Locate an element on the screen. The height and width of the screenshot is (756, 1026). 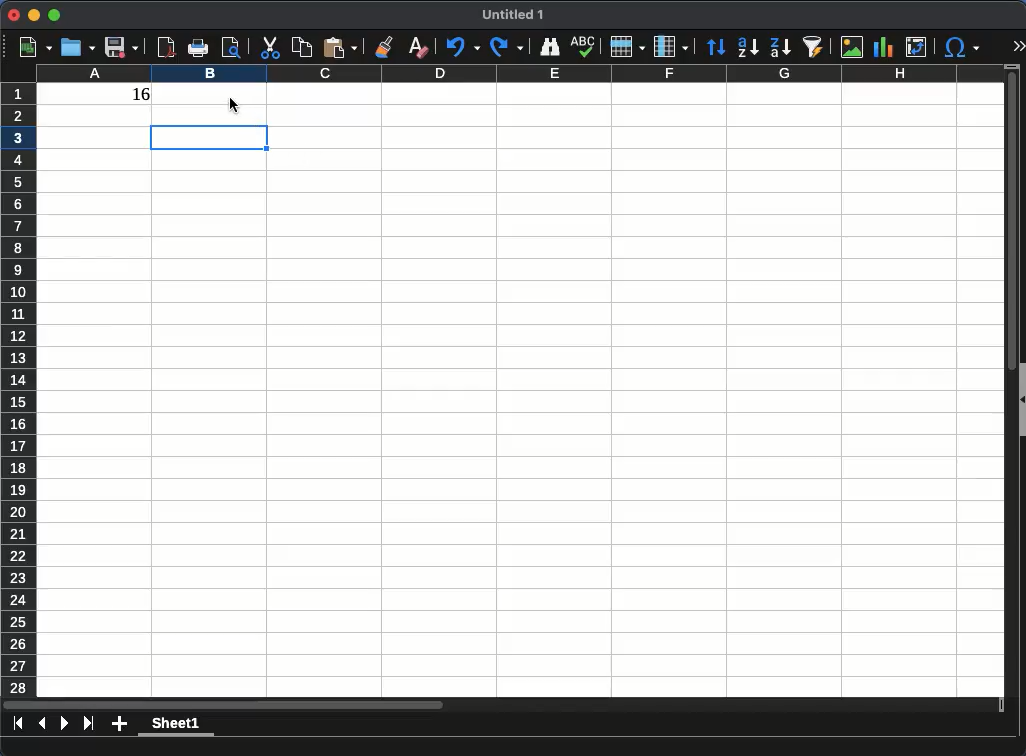
special characters is located at coordinates (961, 48).